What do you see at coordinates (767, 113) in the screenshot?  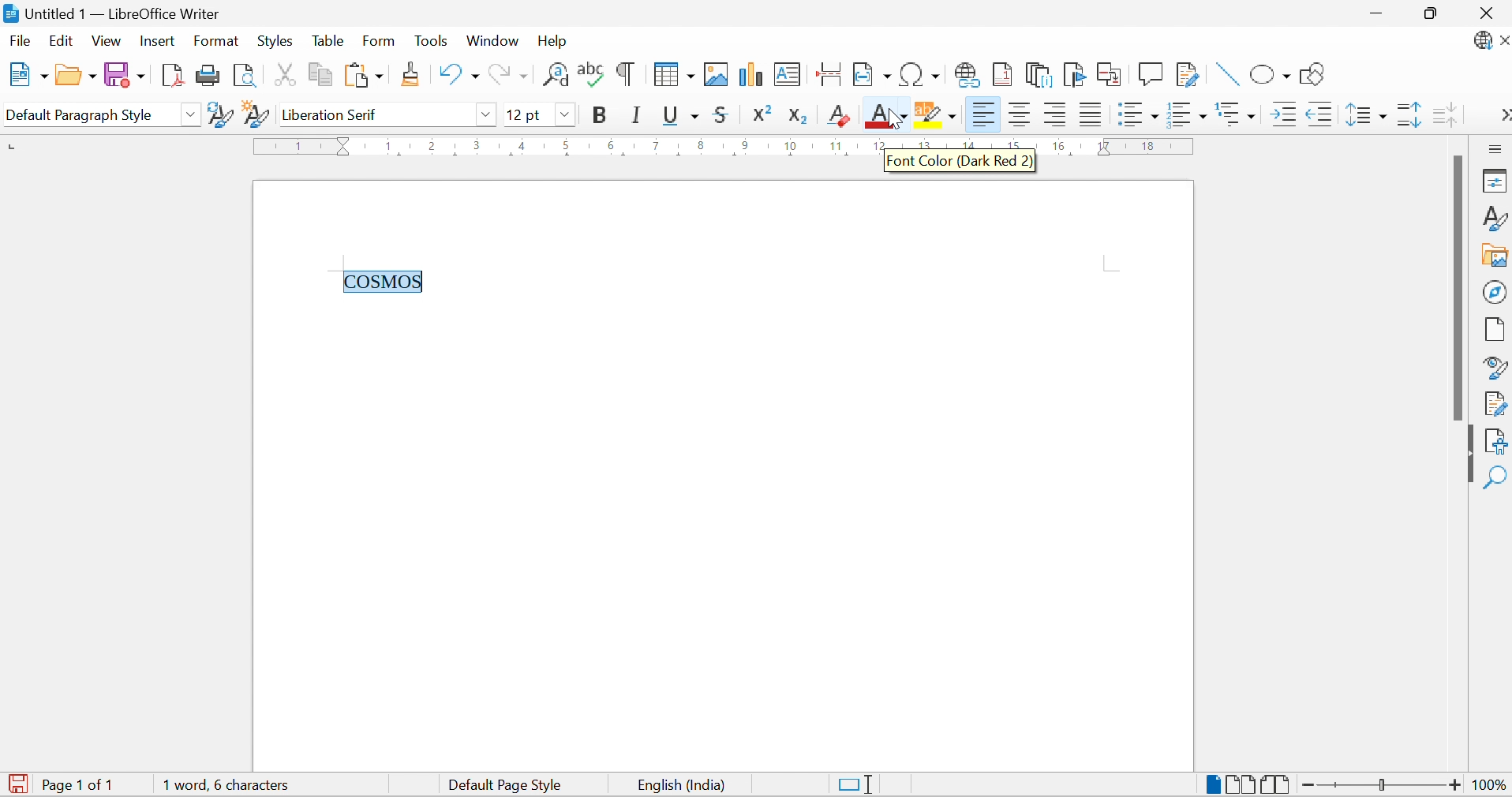 I see `Superscript` at bounding box center [767, 113].